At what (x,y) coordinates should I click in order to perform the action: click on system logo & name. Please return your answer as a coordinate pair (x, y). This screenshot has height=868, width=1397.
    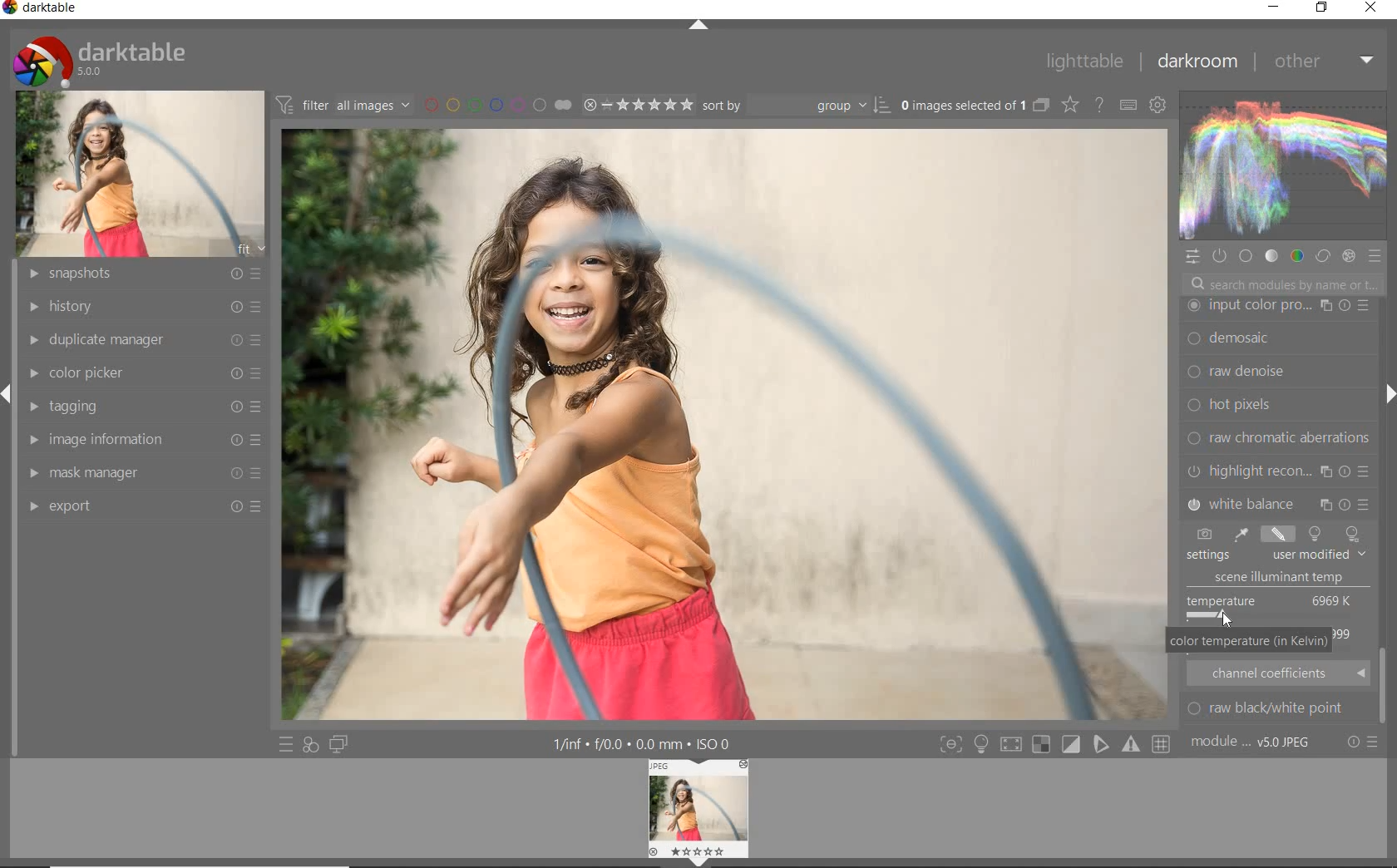
    Looking at the image, I should click on (103, 57).